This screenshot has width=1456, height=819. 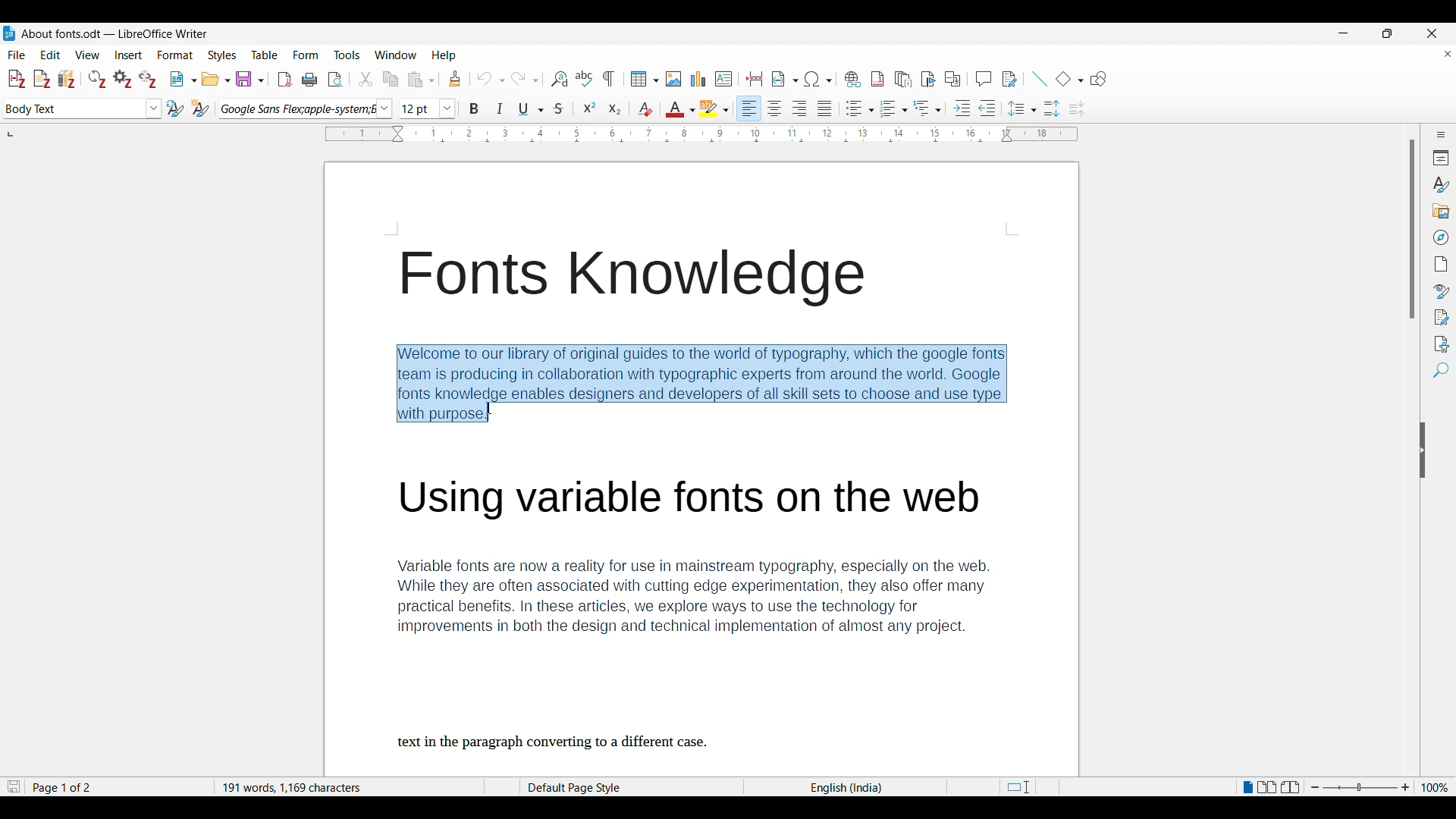 What do you see at coordinates (14, 786) in the screenshot?
I see `Indicates changes that need to be saved` at bounding box center [14, 786].